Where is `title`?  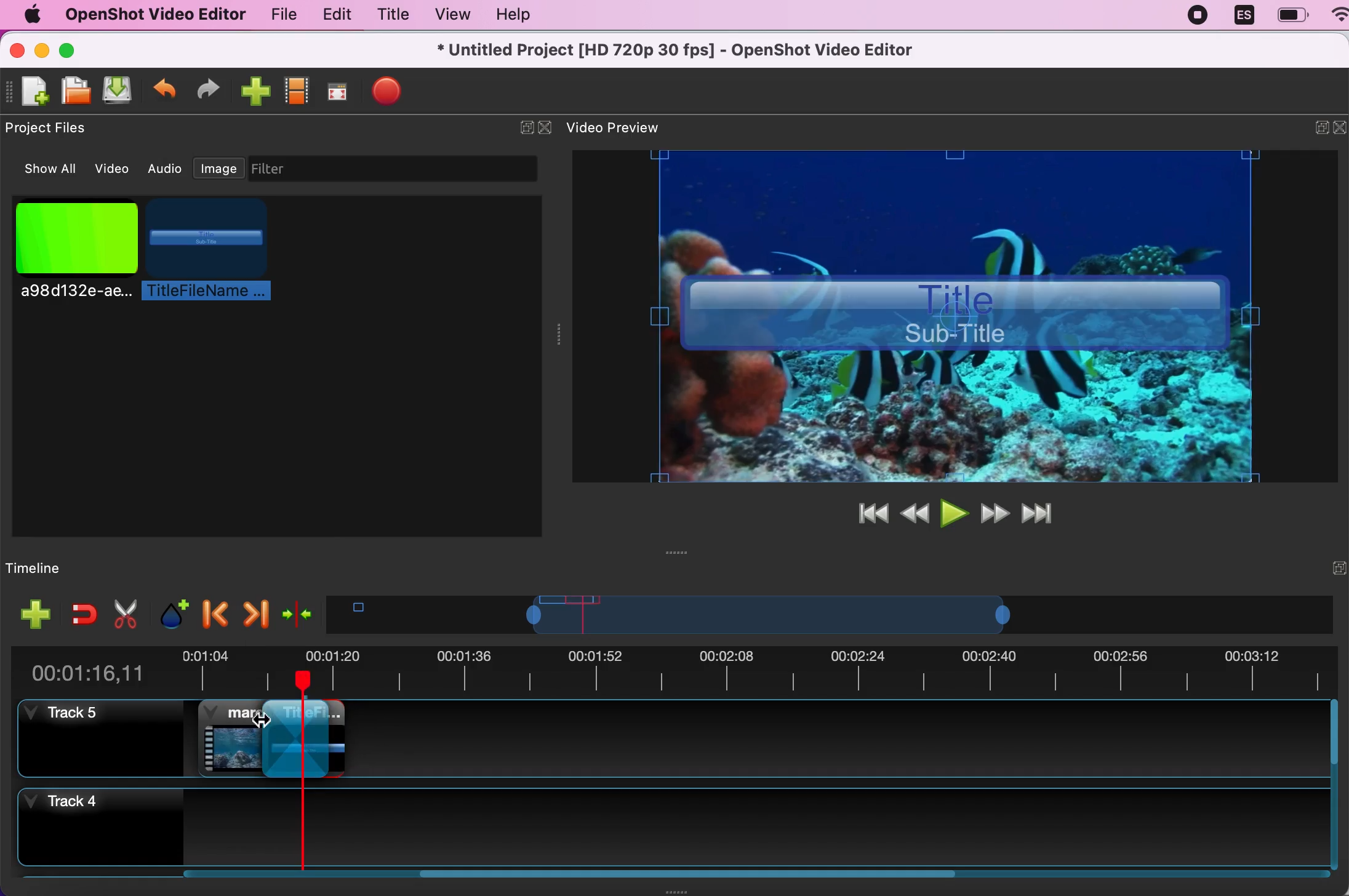
title is located at coordinates (273, 716).